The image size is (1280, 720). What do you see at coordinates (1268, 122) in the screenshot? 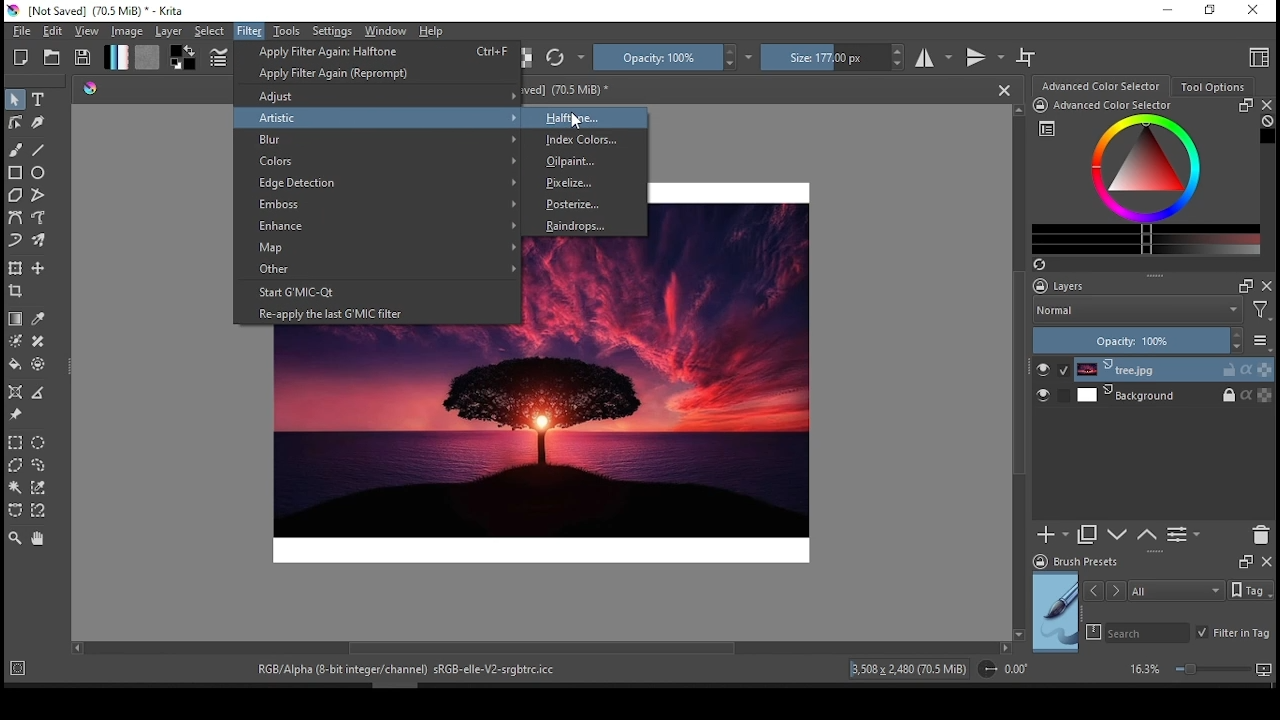
I see `Clear` at bounding box center [1268, 122].